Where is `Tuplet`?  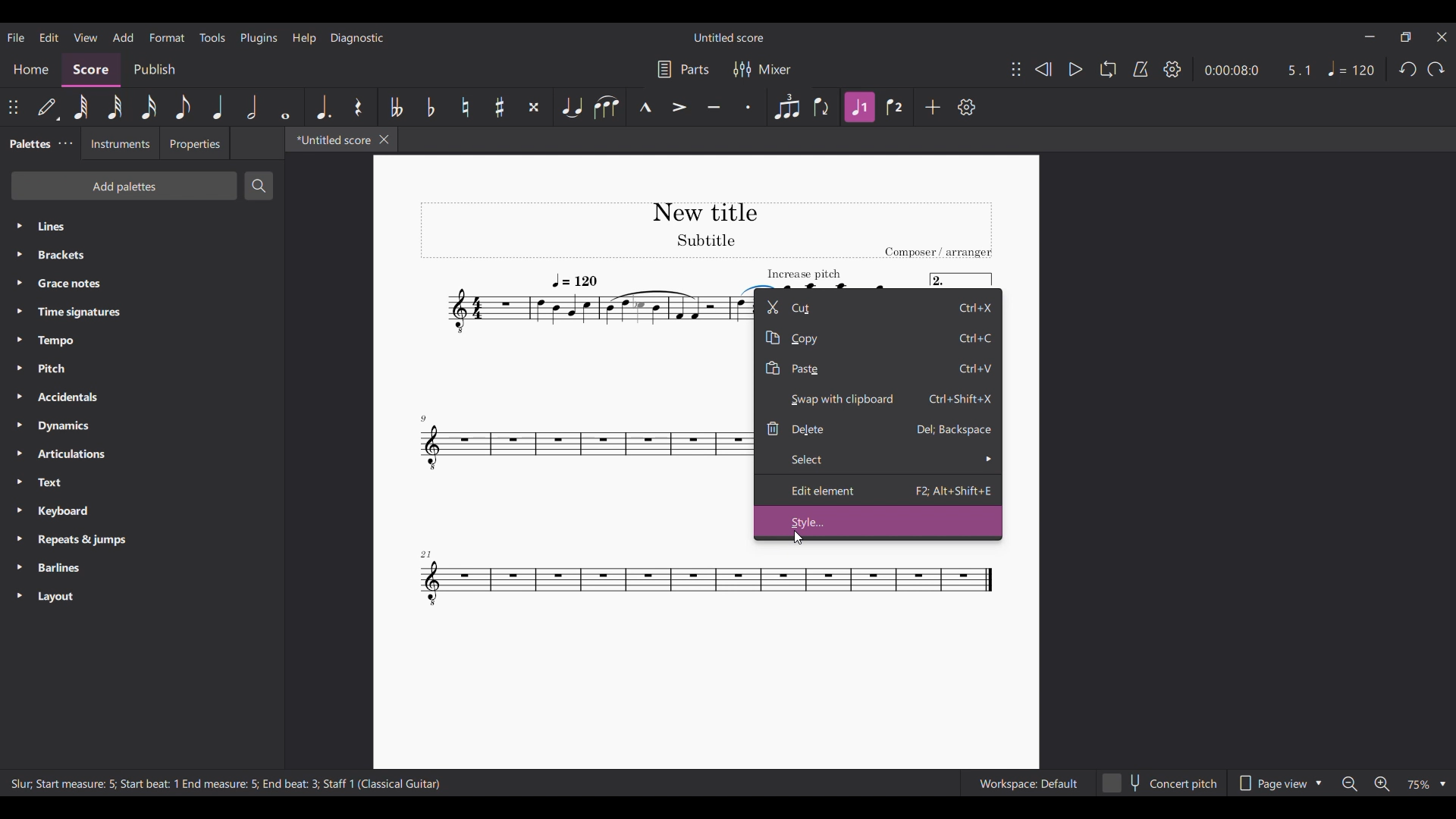 Tuplet is located at coordinates (787, 106).